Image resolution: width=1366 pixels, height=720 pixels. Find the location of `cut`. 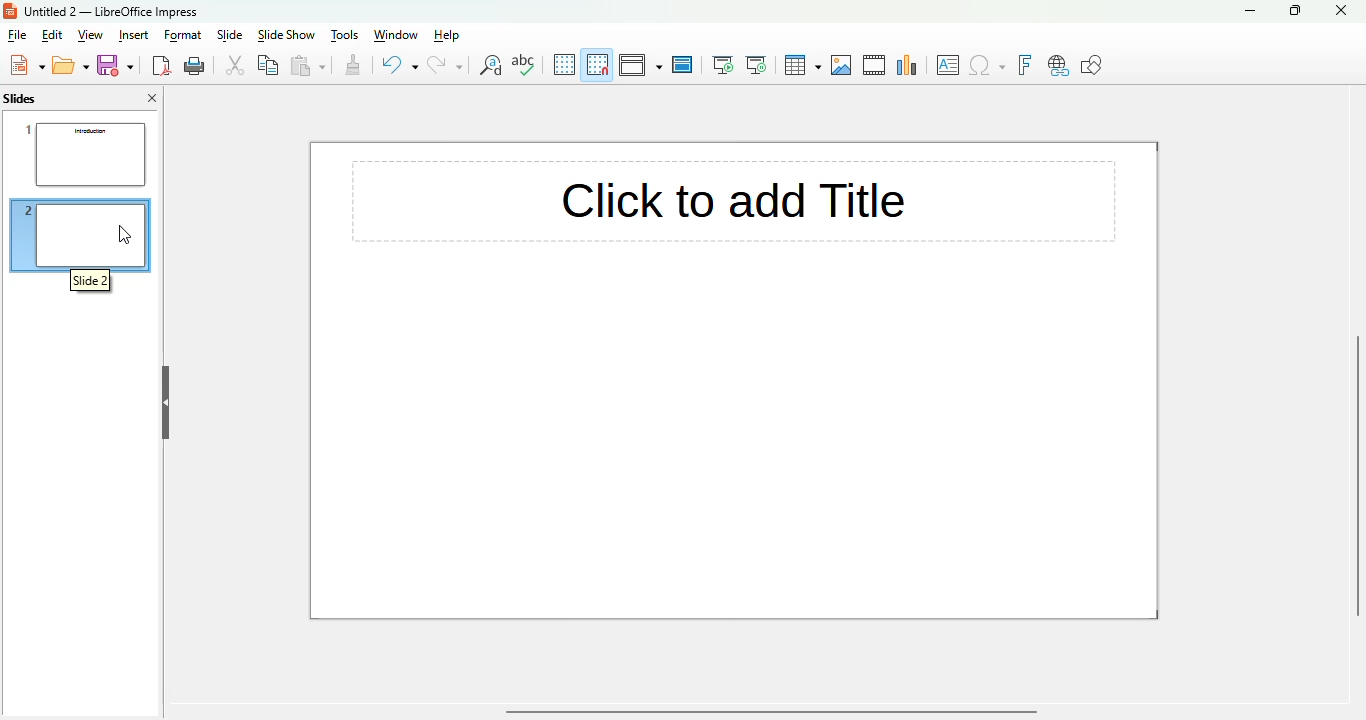

cut is located at coordinates (235, 65).